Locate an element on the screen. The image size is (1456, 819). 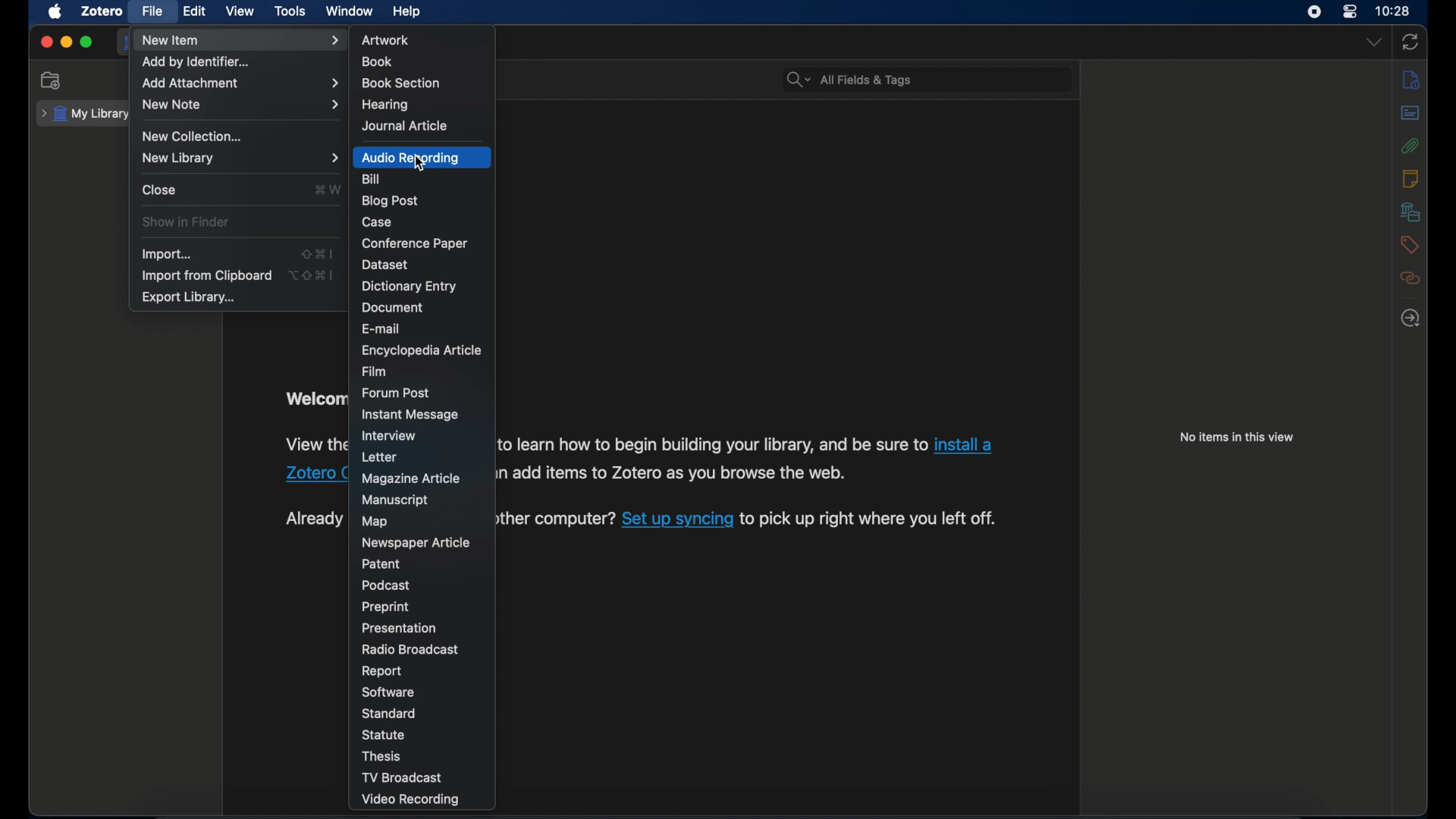
link is located at coordinates (868, 519).